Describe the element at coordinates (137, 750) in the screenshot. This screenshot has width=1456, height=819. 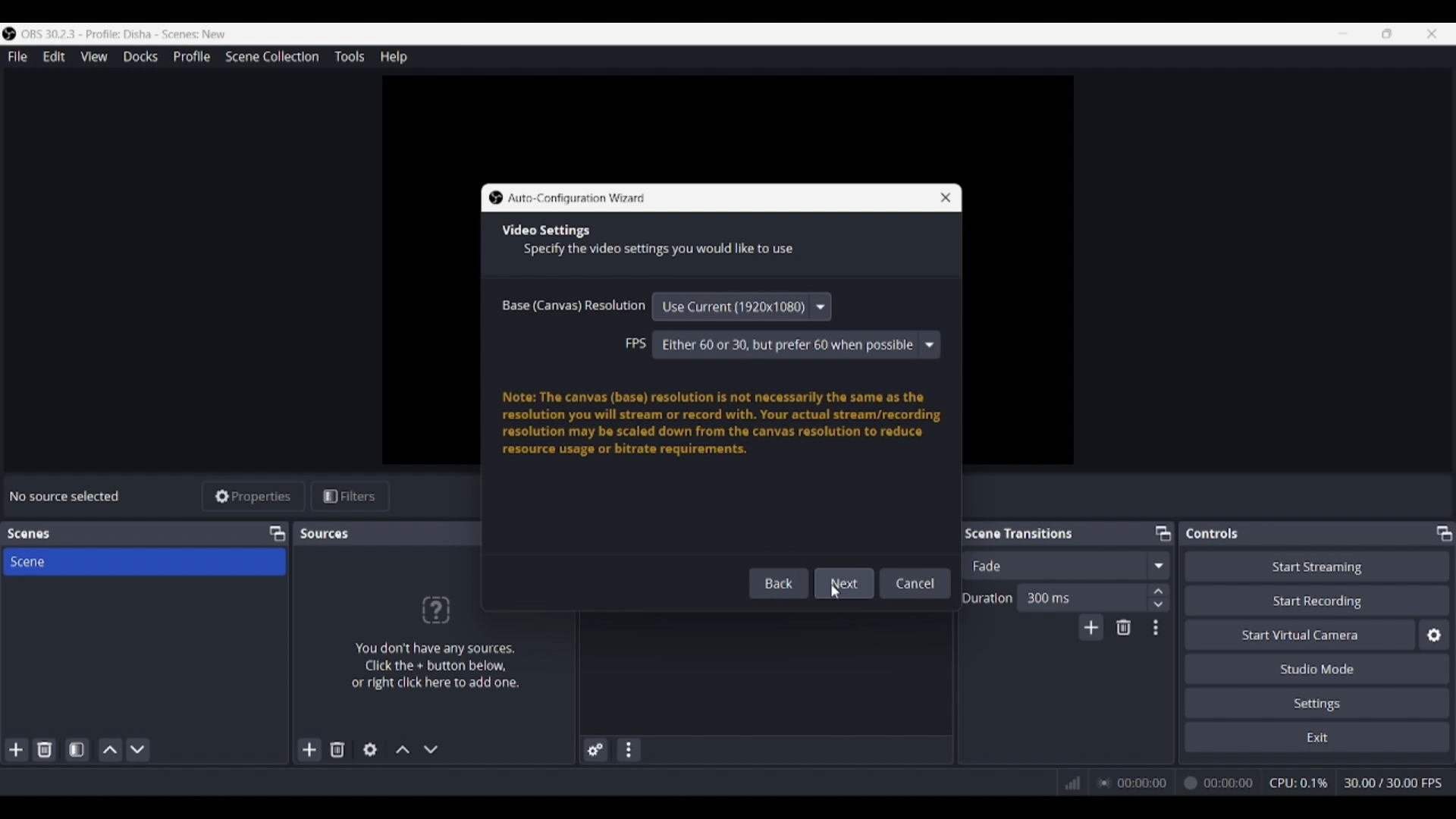
I see `Move scene down` at that location.